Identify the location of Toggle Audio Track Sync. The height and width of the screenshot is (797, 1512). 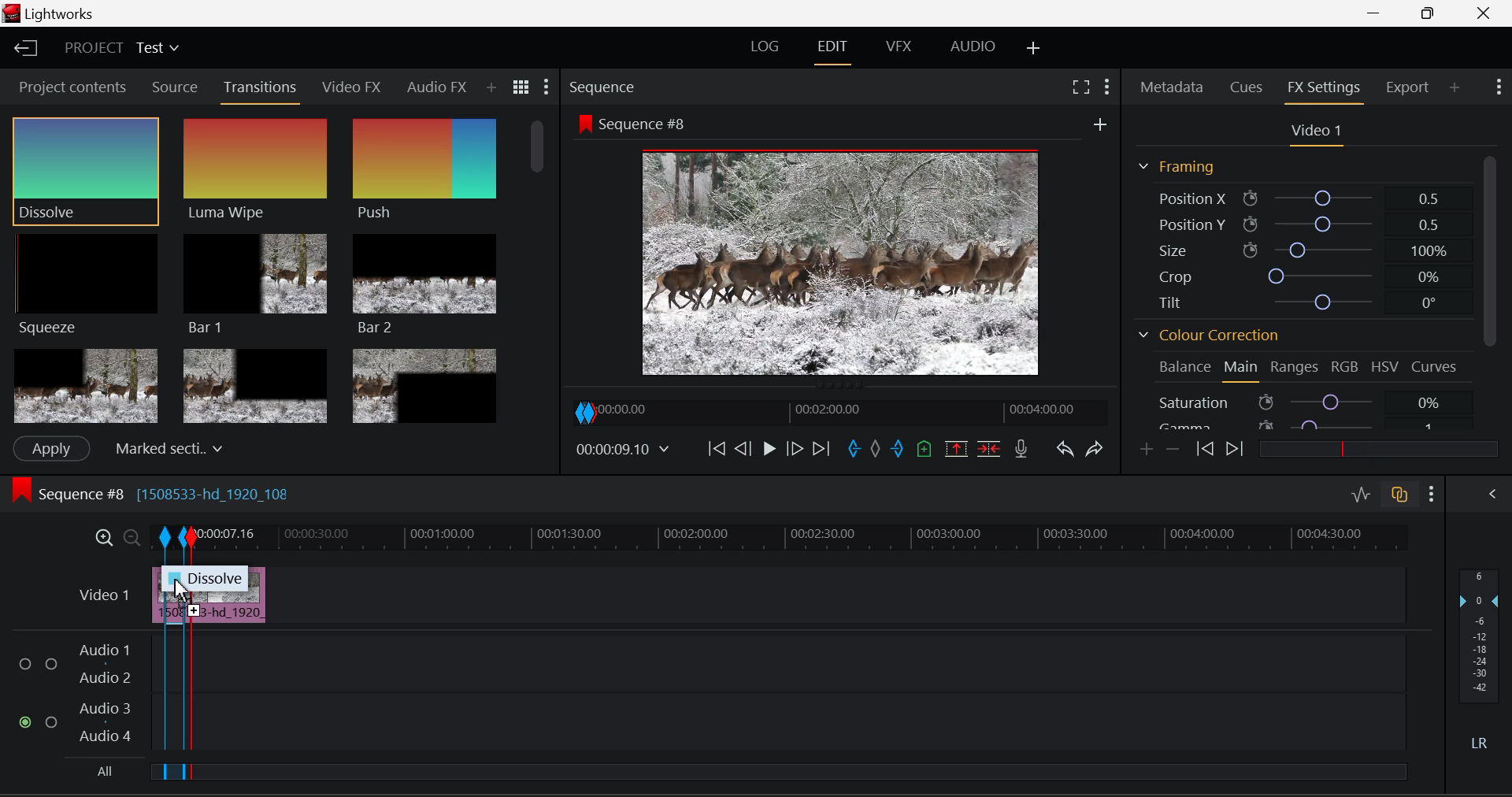
(1402, 496).